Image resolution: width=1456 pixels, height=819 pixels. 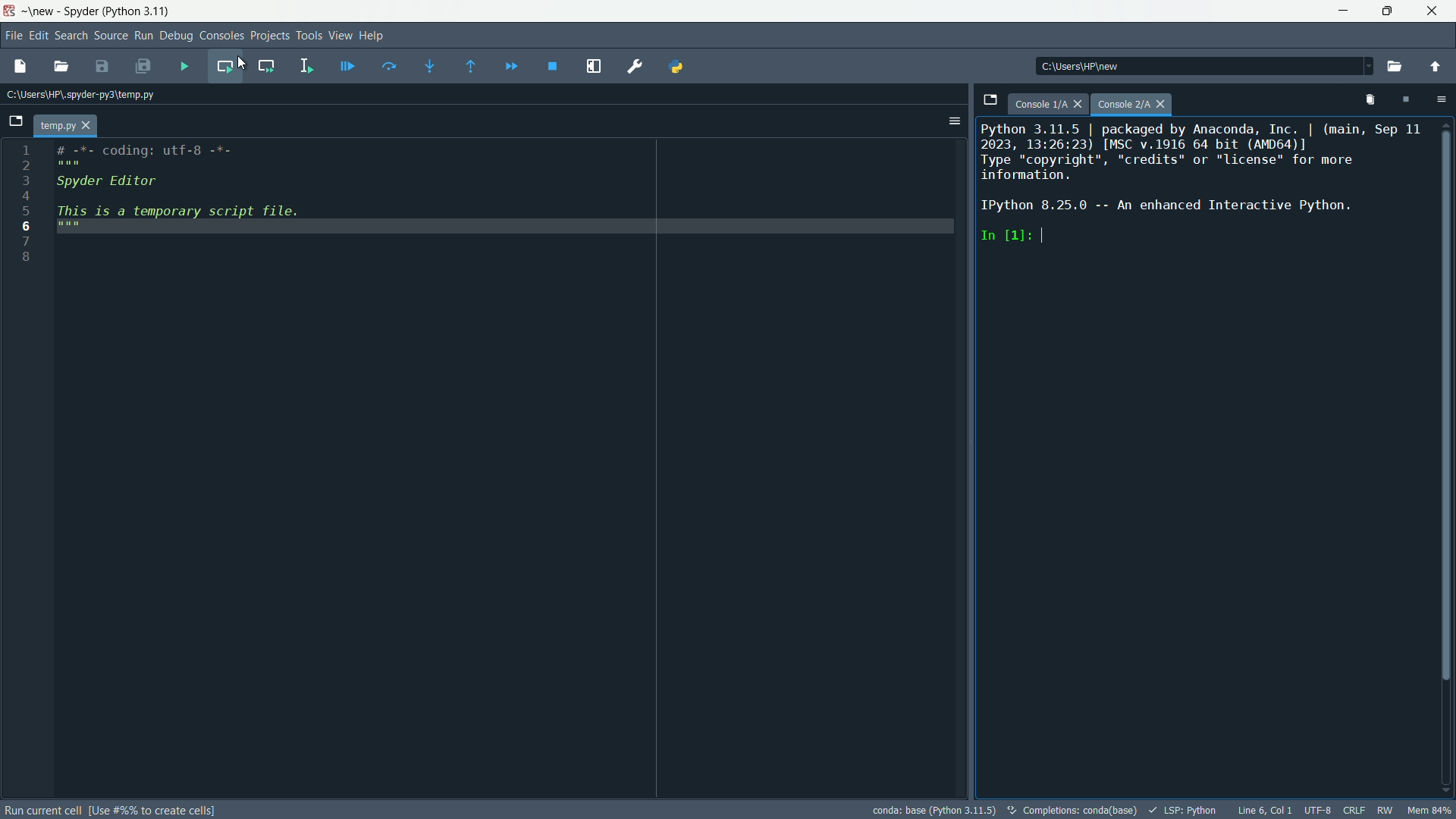 I want to click on ~\new, so click(x=39, y=11).